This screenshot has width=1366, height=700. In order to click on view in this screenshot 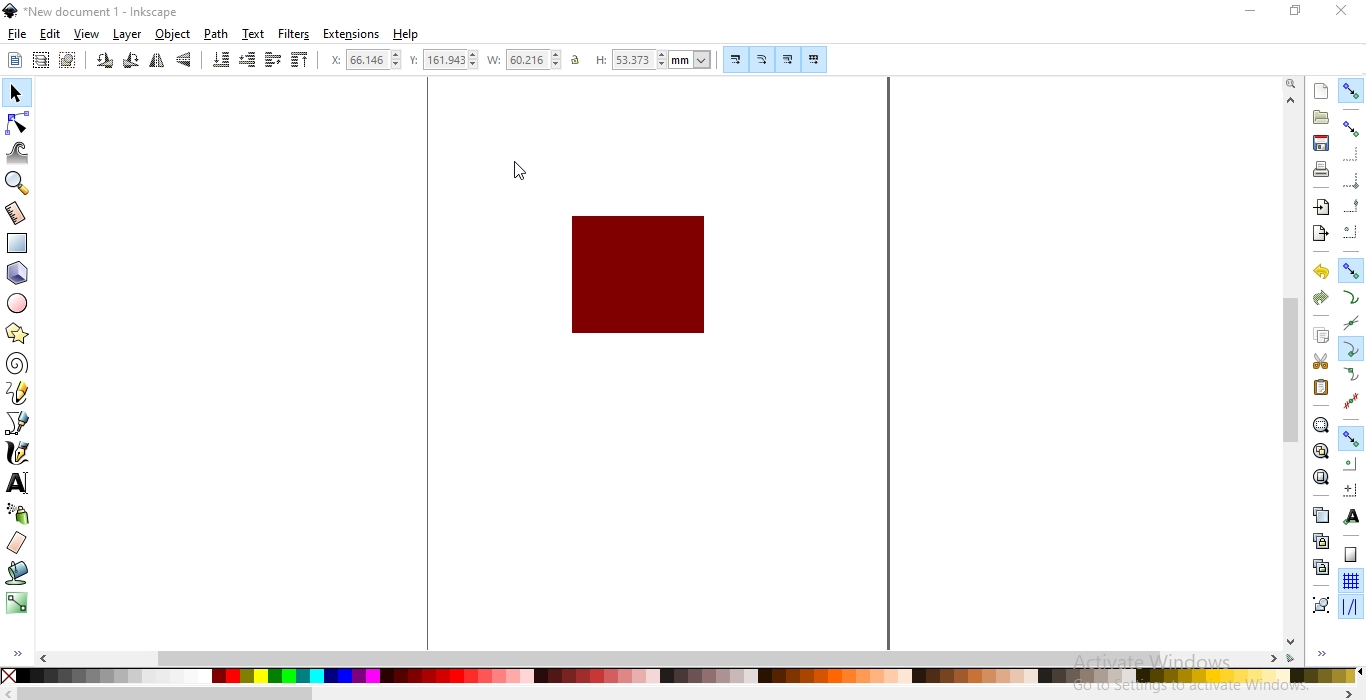, I will do `click(88, 34)`.